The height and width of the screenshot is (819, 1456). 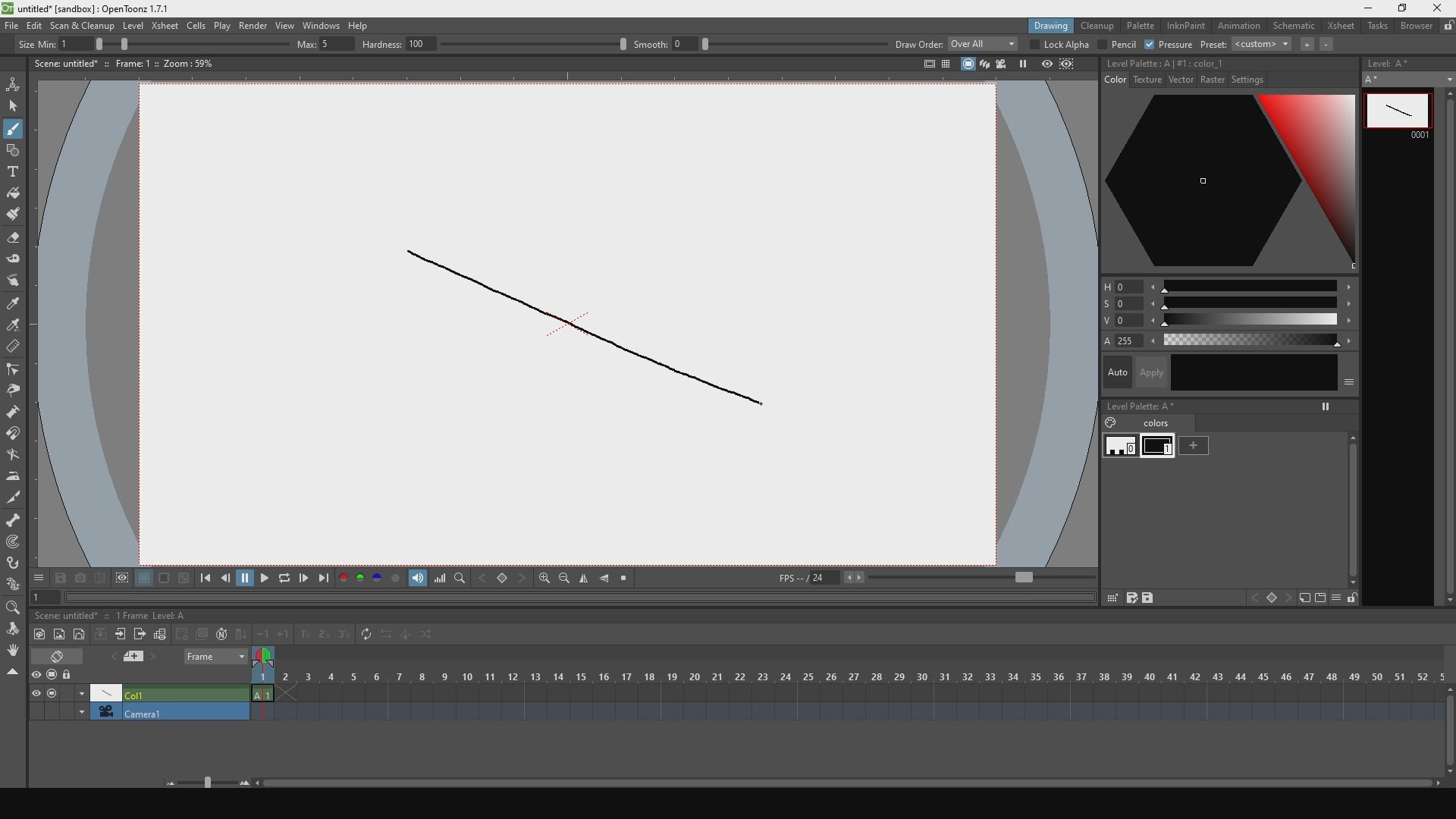 I want to click on stop, so click(x=56, y=674).